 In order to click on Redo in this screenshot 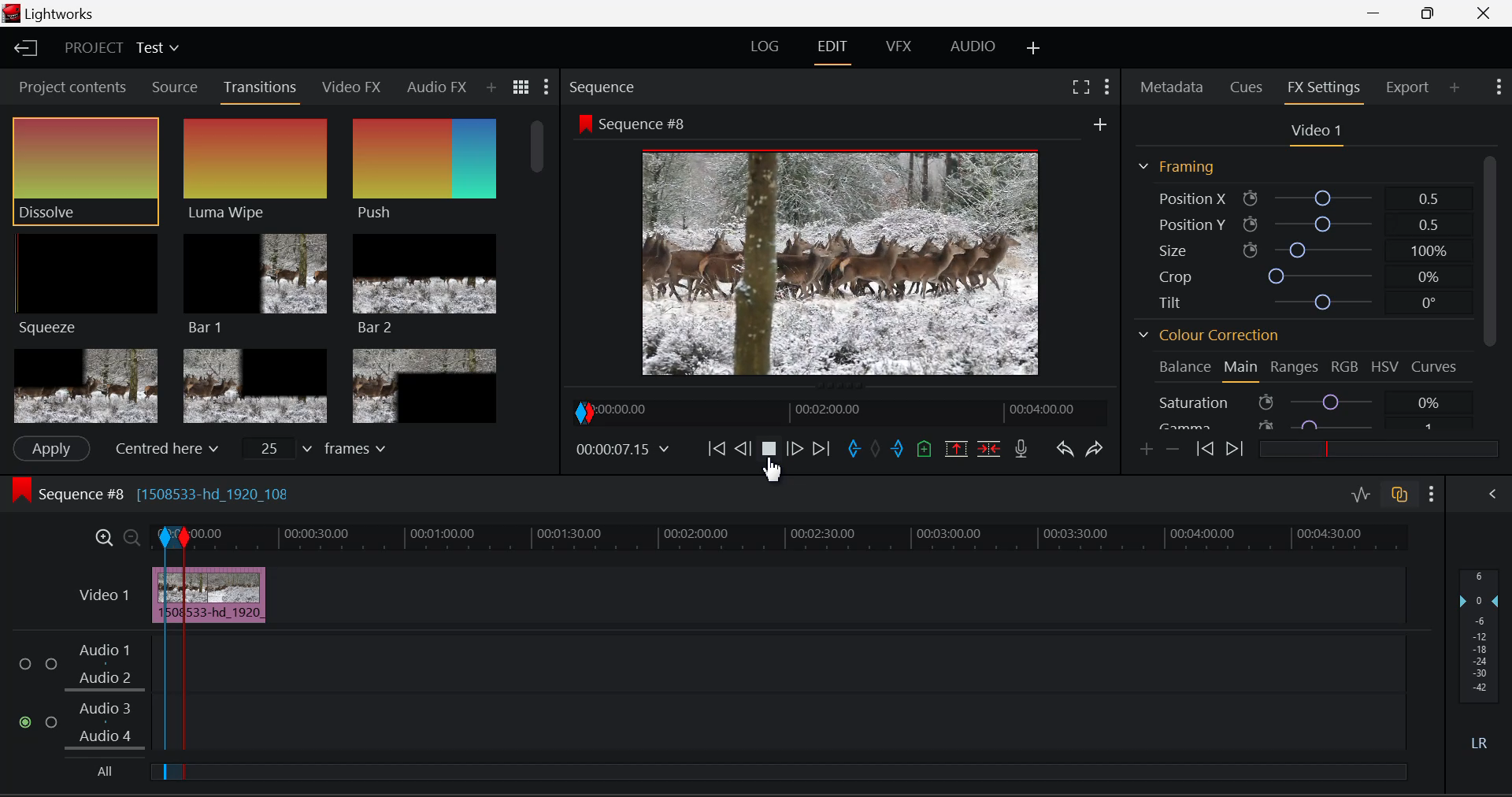, I will do `click(1098, 450)`.